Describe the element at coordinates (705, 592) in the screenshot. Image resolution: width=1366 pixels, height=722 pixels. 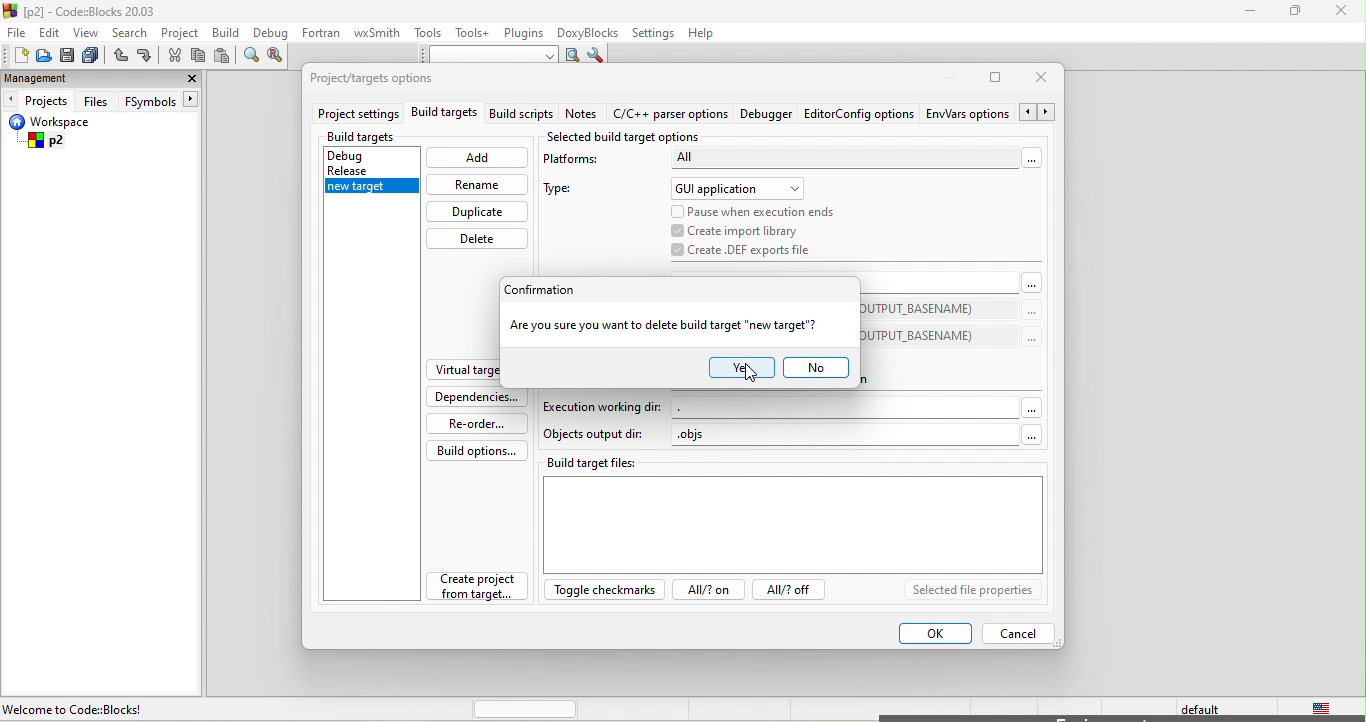
I see `all?on` at that location.